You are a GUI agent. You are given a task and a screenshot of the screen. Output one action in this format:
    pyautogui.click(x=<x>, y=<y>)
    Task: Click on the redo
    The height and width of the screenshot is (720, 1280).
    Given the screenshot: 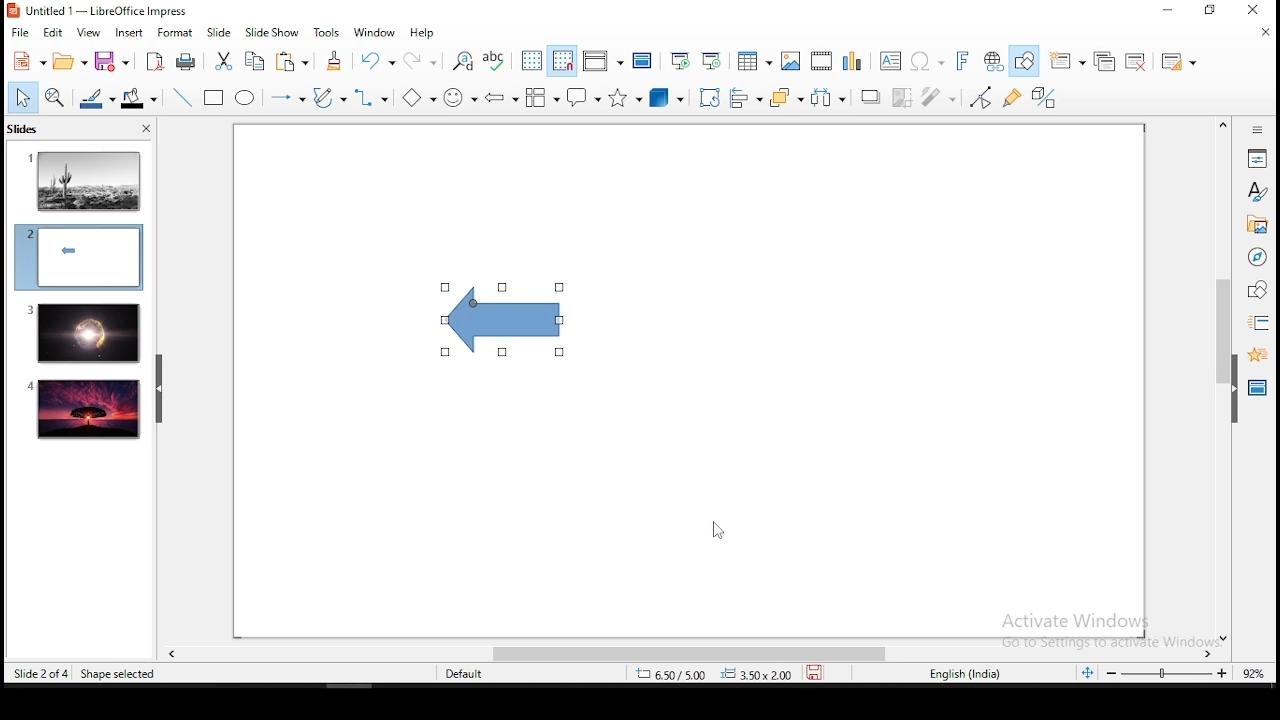 What is the action you would take?
    pyautogui.click(x=423, y=58)
    